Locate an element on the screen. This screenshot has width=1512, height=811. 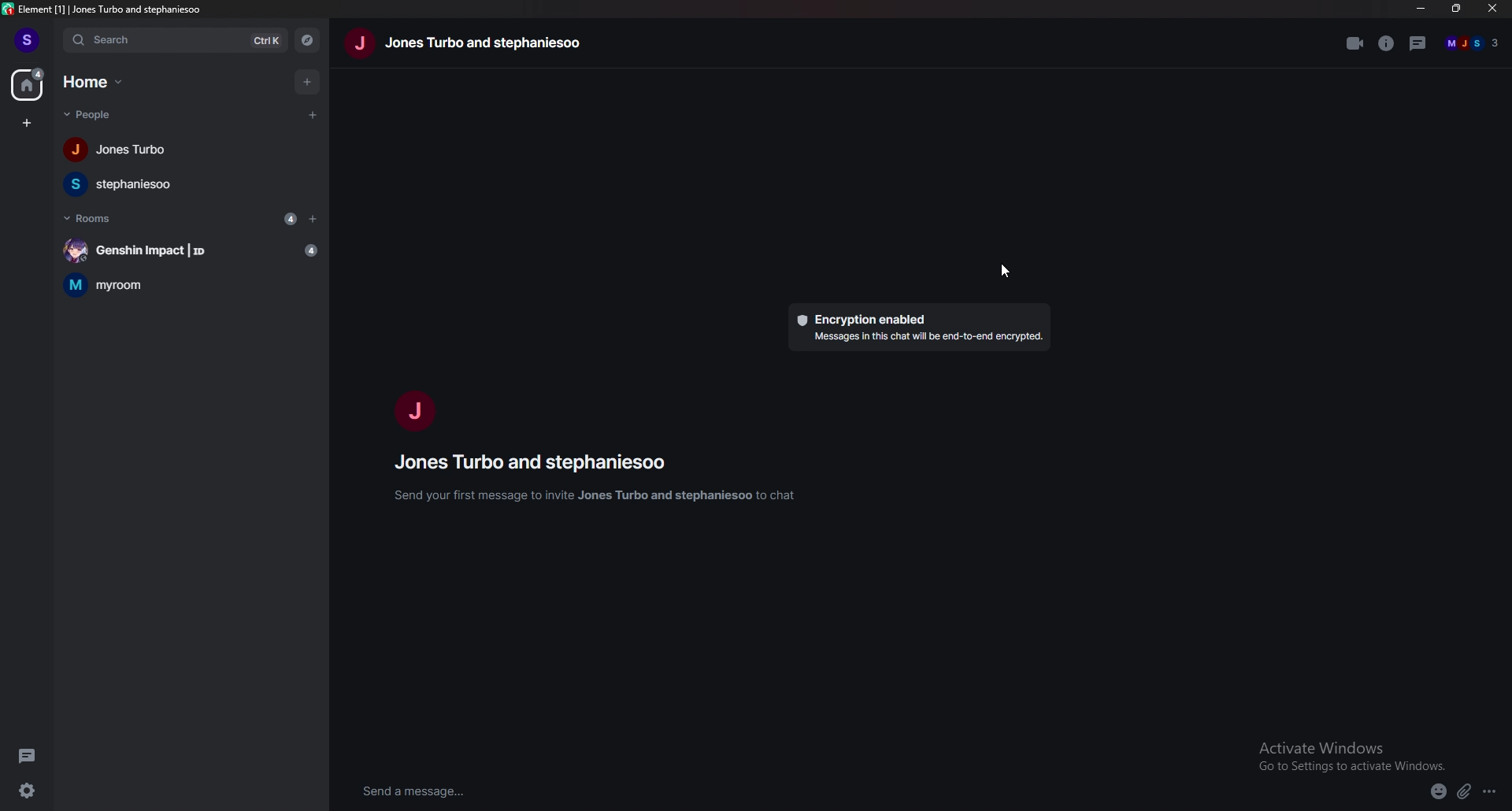
sent is located at coordinates (1476, 744).